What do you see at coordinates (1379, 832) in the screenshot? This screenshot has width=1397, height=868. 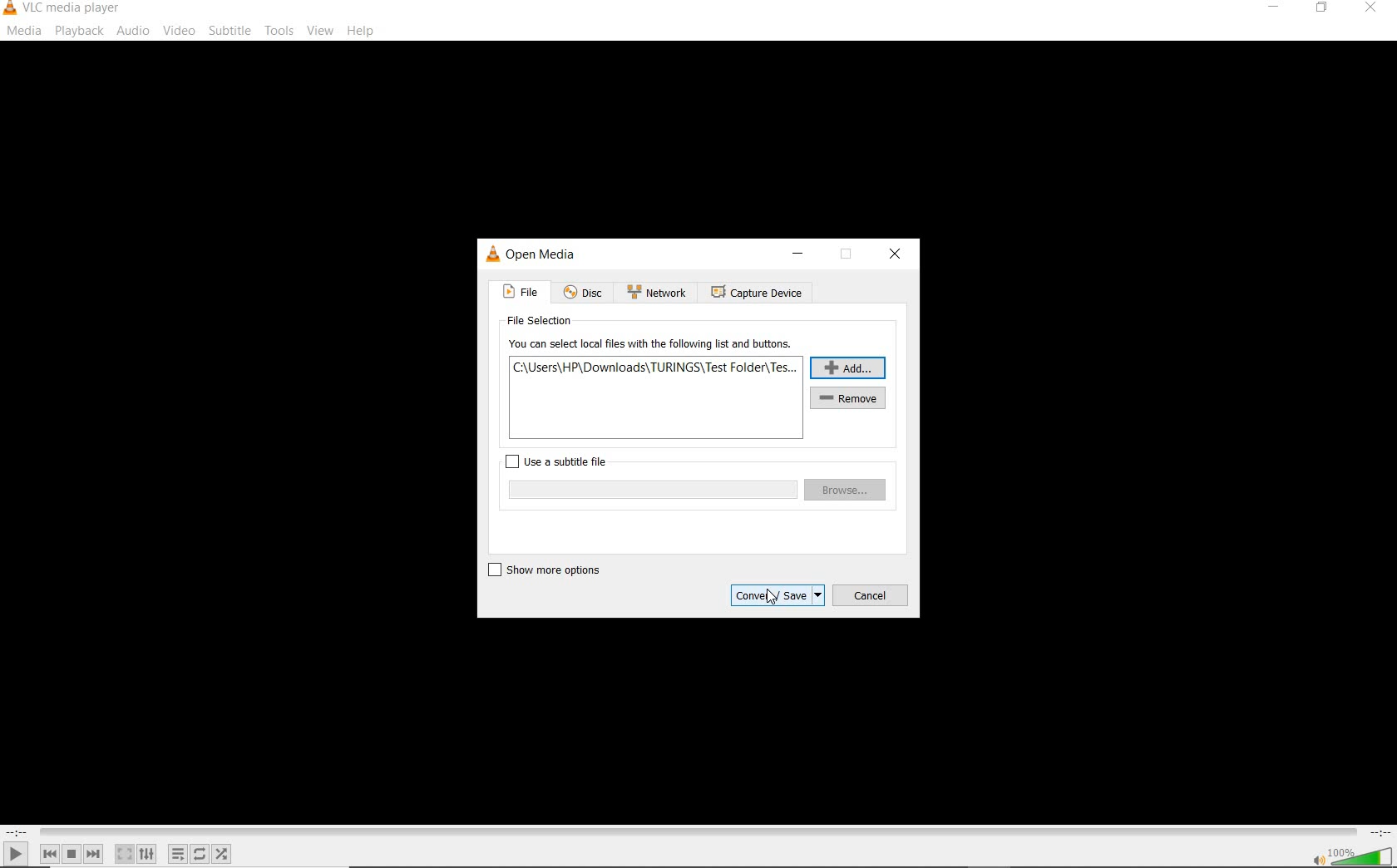 I see `remaining time` at bounding box center [1379, 832].